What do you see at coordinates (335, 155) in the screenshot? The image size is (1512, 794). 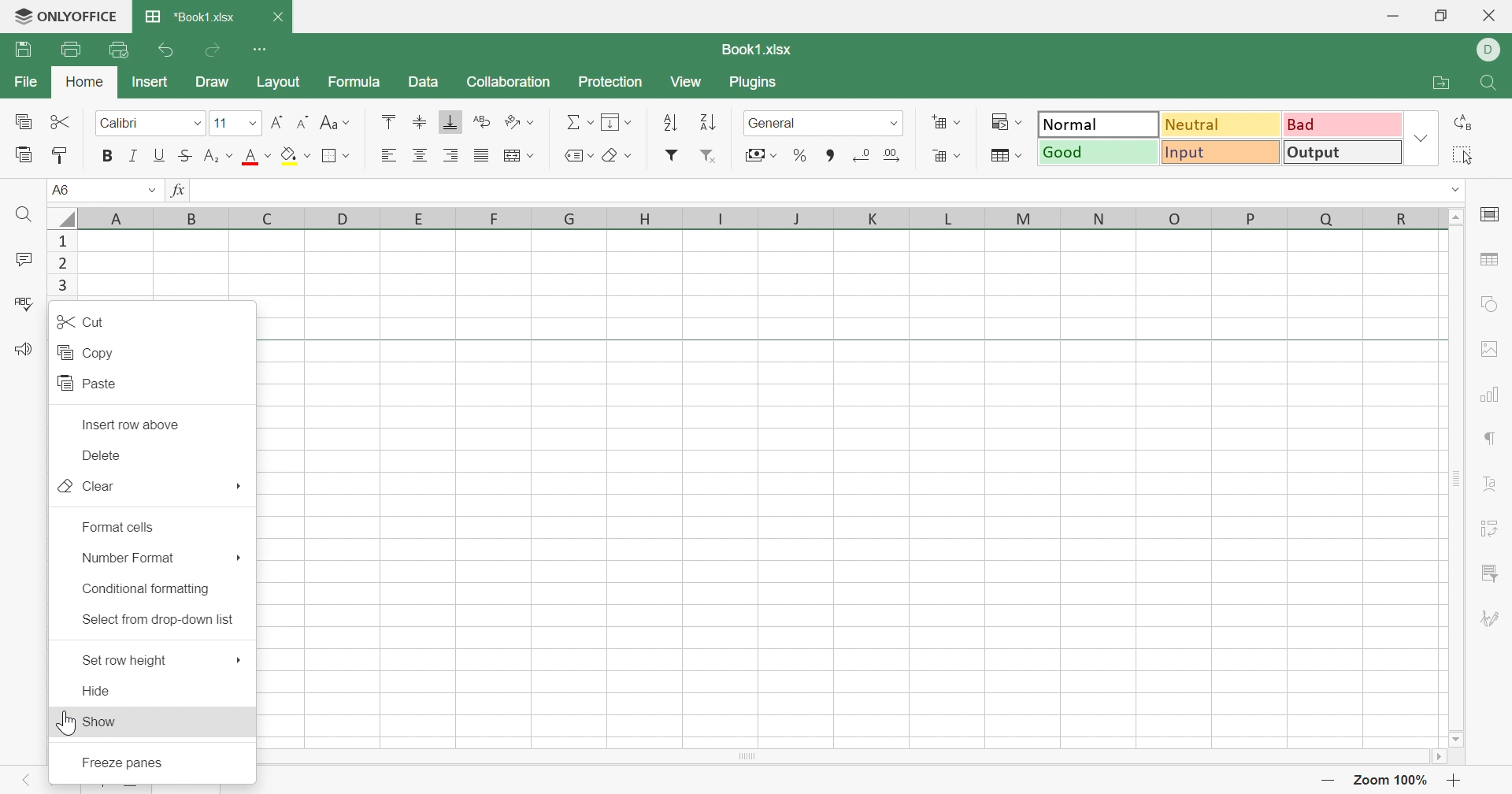 I see `Borders` at bounding box center [335, 155].